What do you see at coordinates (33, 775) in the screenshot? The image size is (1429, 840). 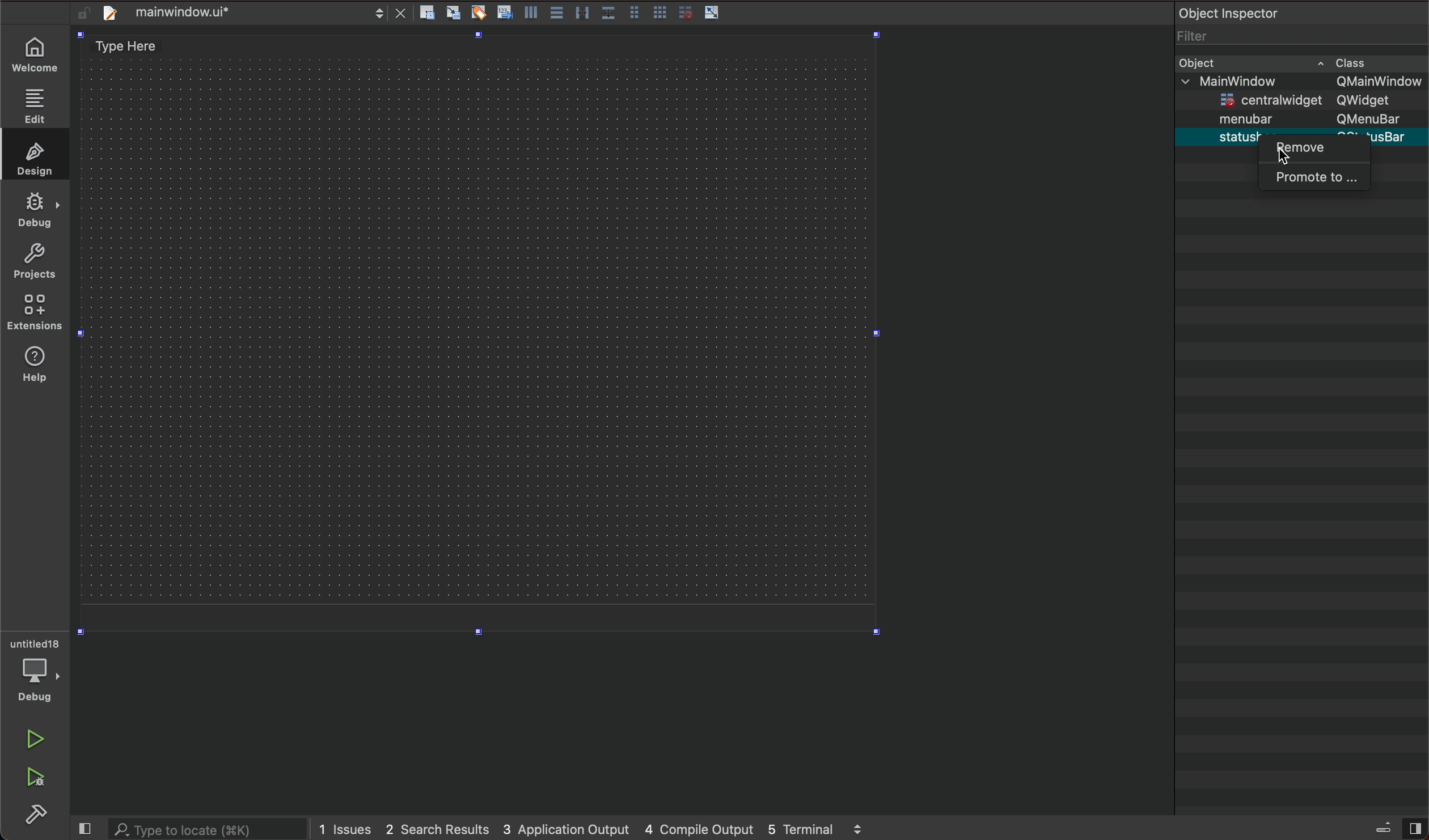 I see `run debug` at bounding box center [33, 775].